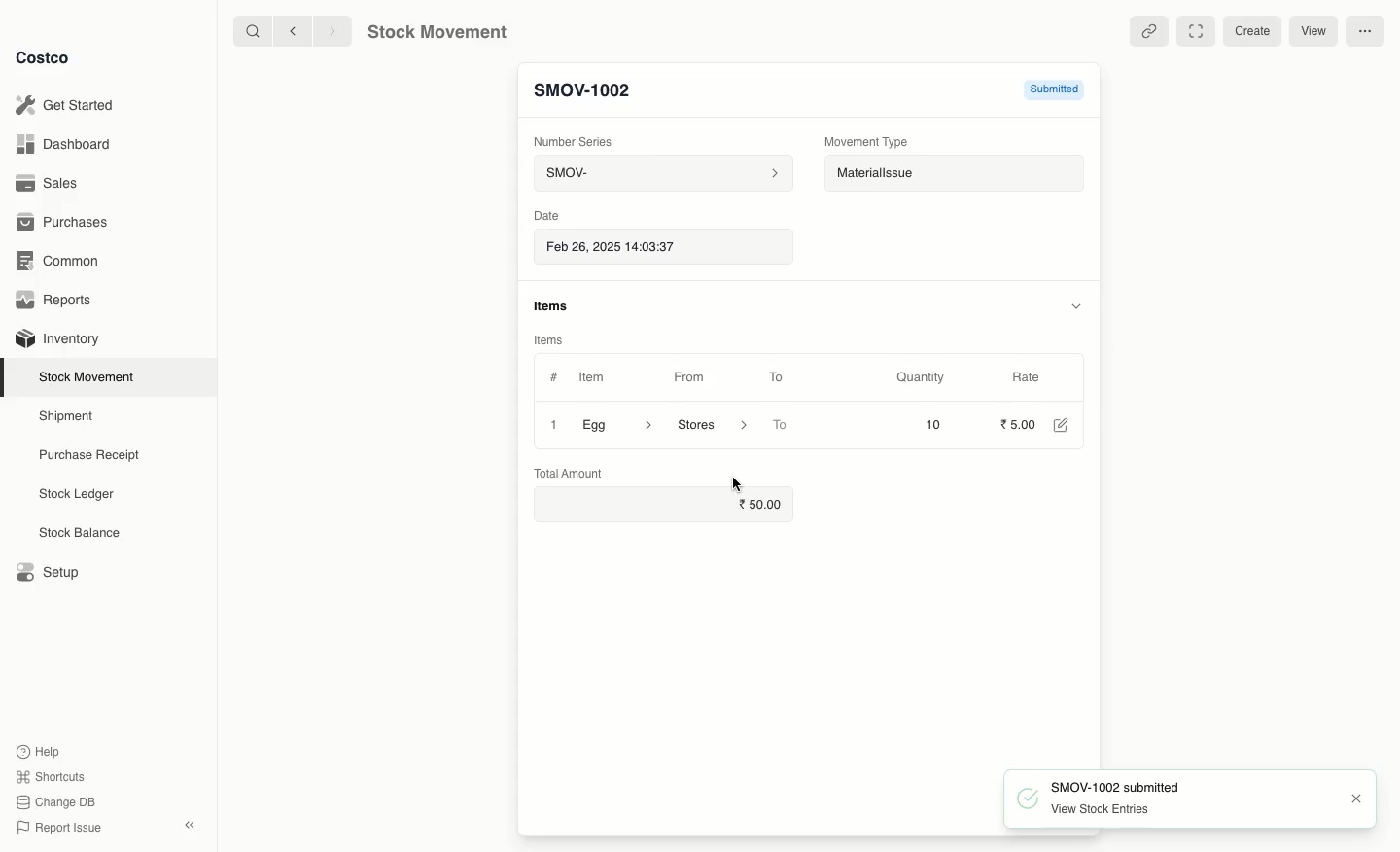 This screenshot has height=852, width=1400. Describe the element at coordinates (575, 473) in the screenshot. I see `Total Amount` at that location.